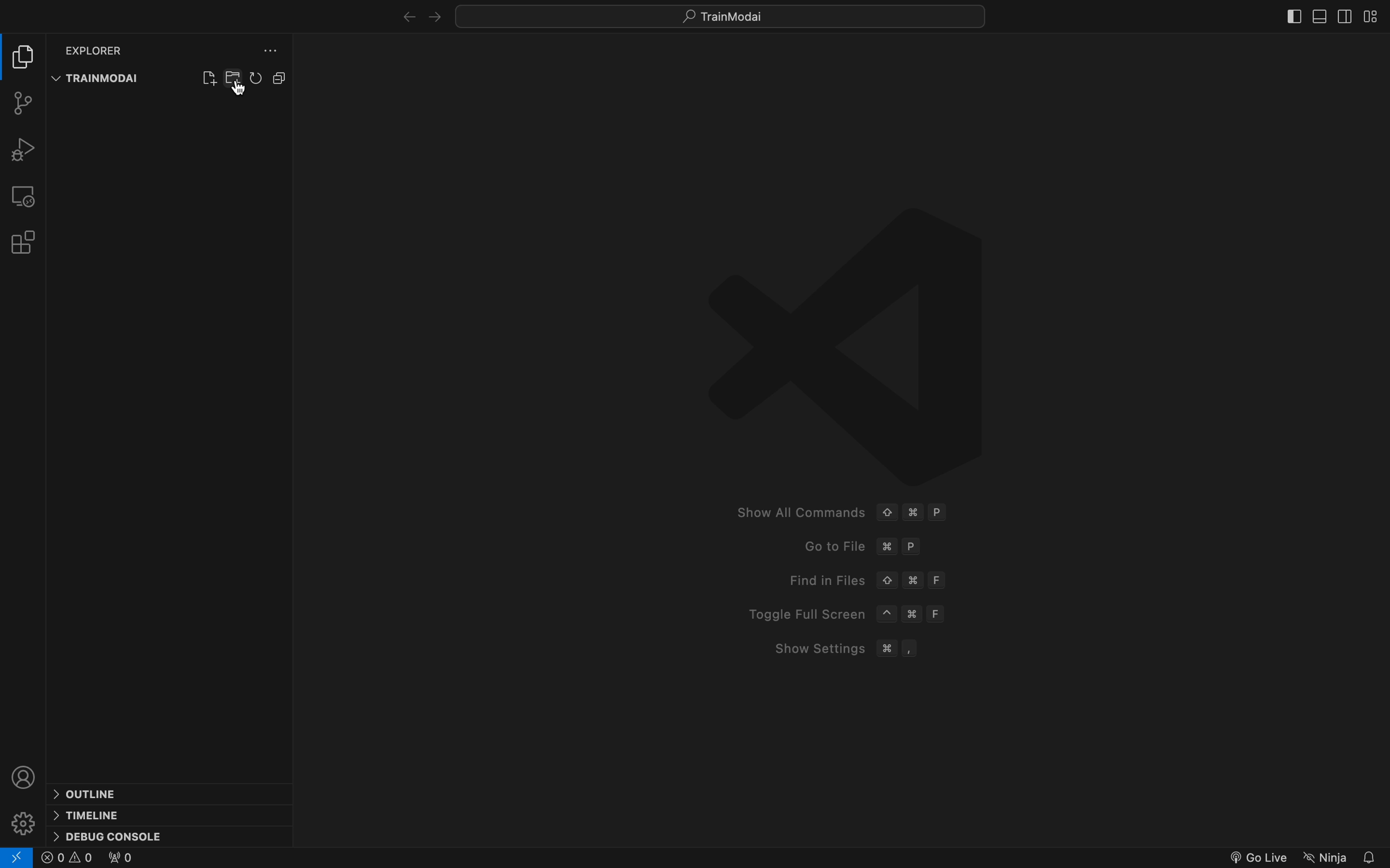  I want to click on remote explore, so click(22, 195).